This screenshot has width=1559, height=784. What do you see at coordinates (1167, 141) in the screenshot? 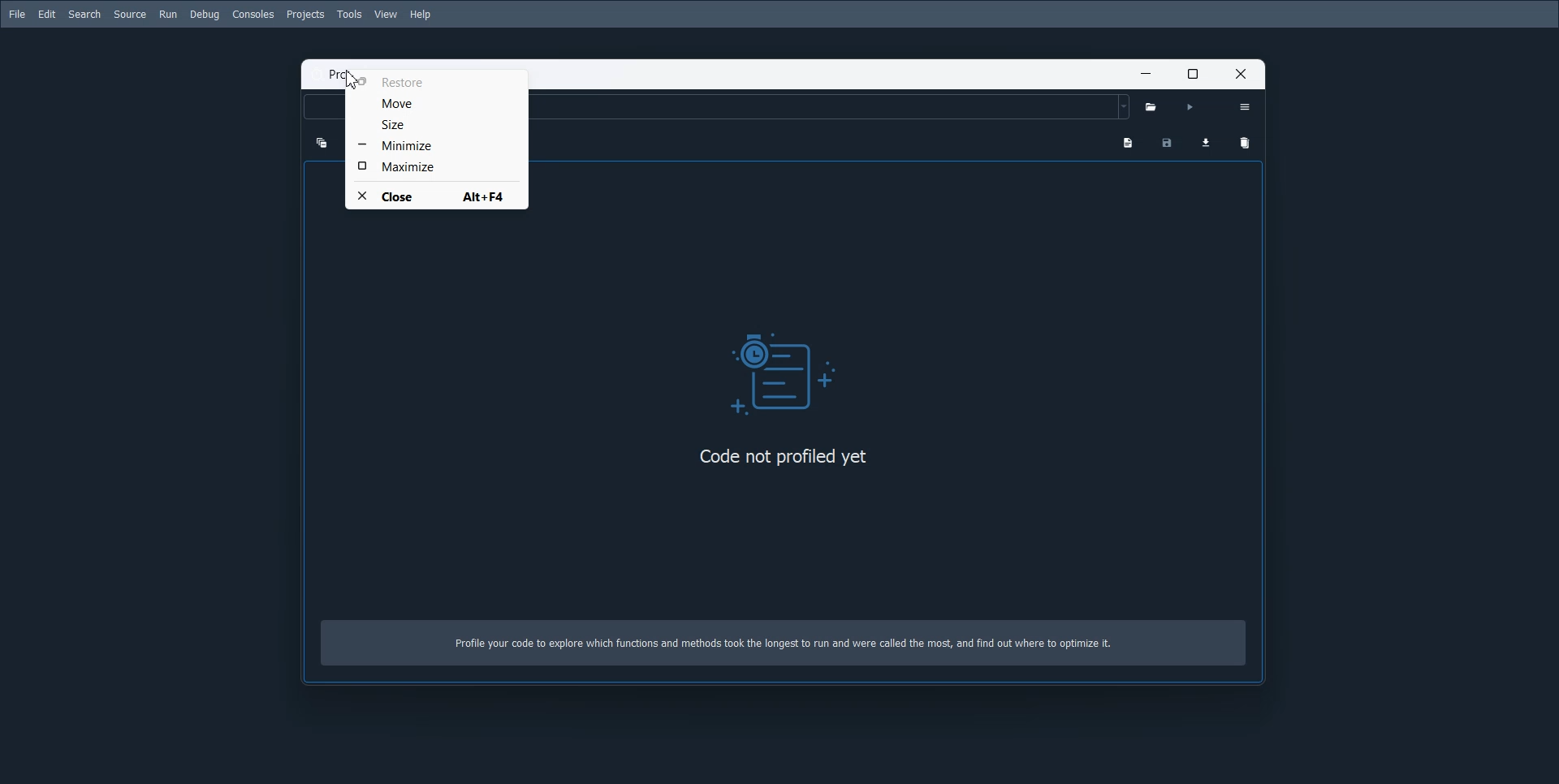
I see `Save Profiling data` at bounding box center [1167, 141].